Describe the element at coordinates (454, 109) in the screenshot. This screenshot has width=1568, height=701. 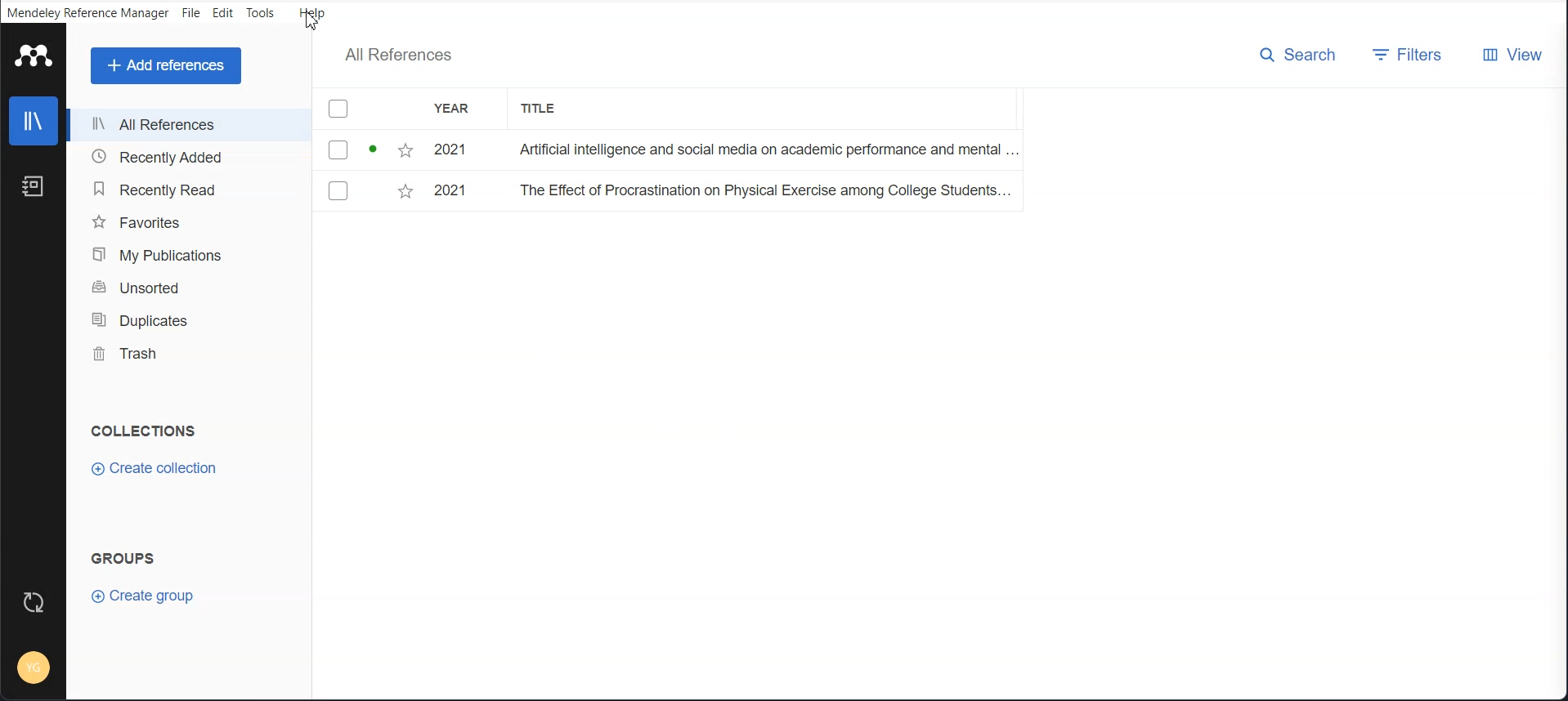
I see `Year` at that location.